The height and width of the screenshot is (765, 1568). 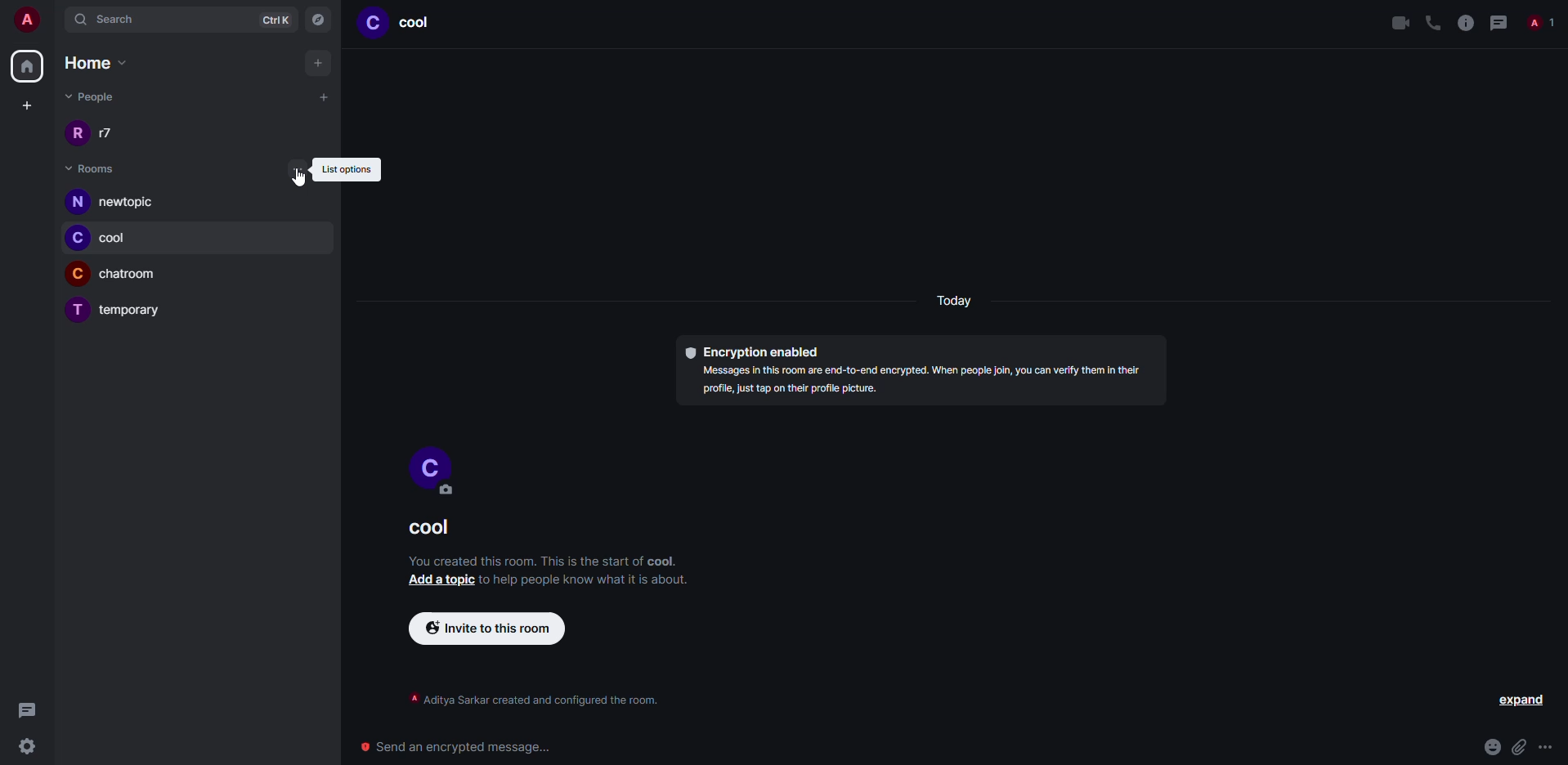 What do you see at coordinates (441, 579) in the screenshot?
I see `add a topic` at bounding box center [441, 579].